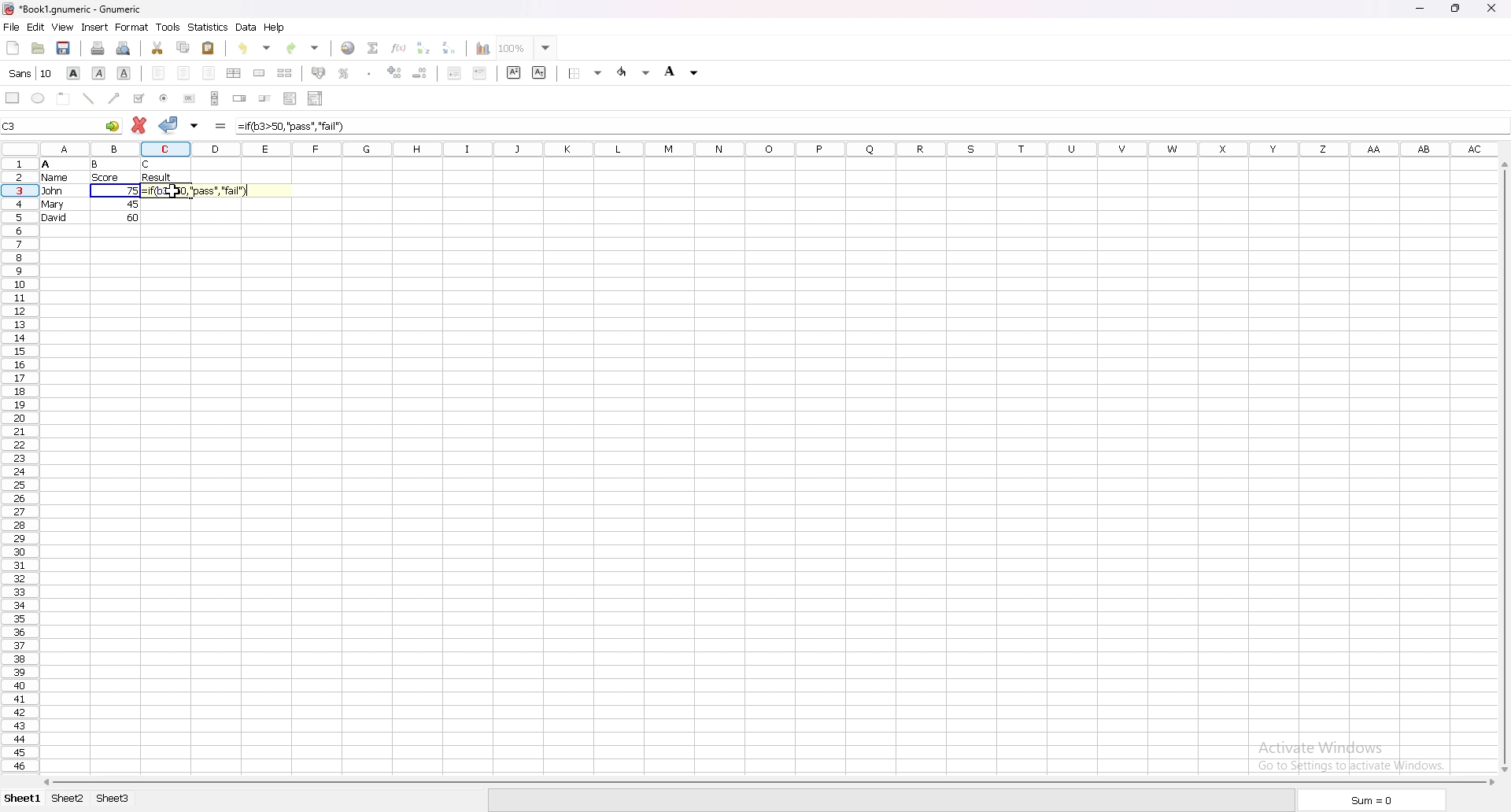  Describe the element at coordinates (209, 48) in the screenshot. I see `paste` at that location.